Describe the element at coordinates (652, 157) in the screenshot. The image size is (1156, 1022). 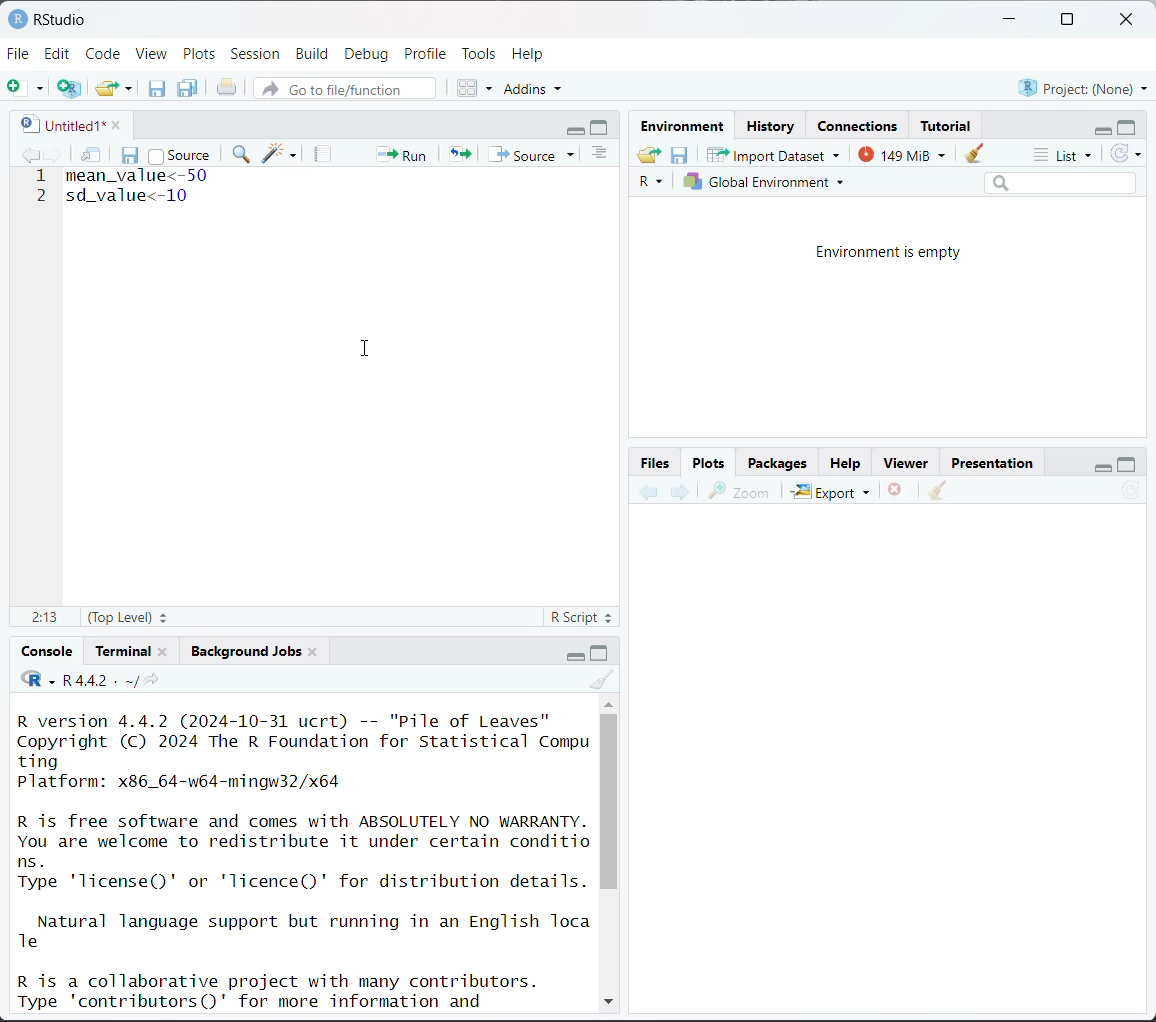
I see `load workspace` at that location.